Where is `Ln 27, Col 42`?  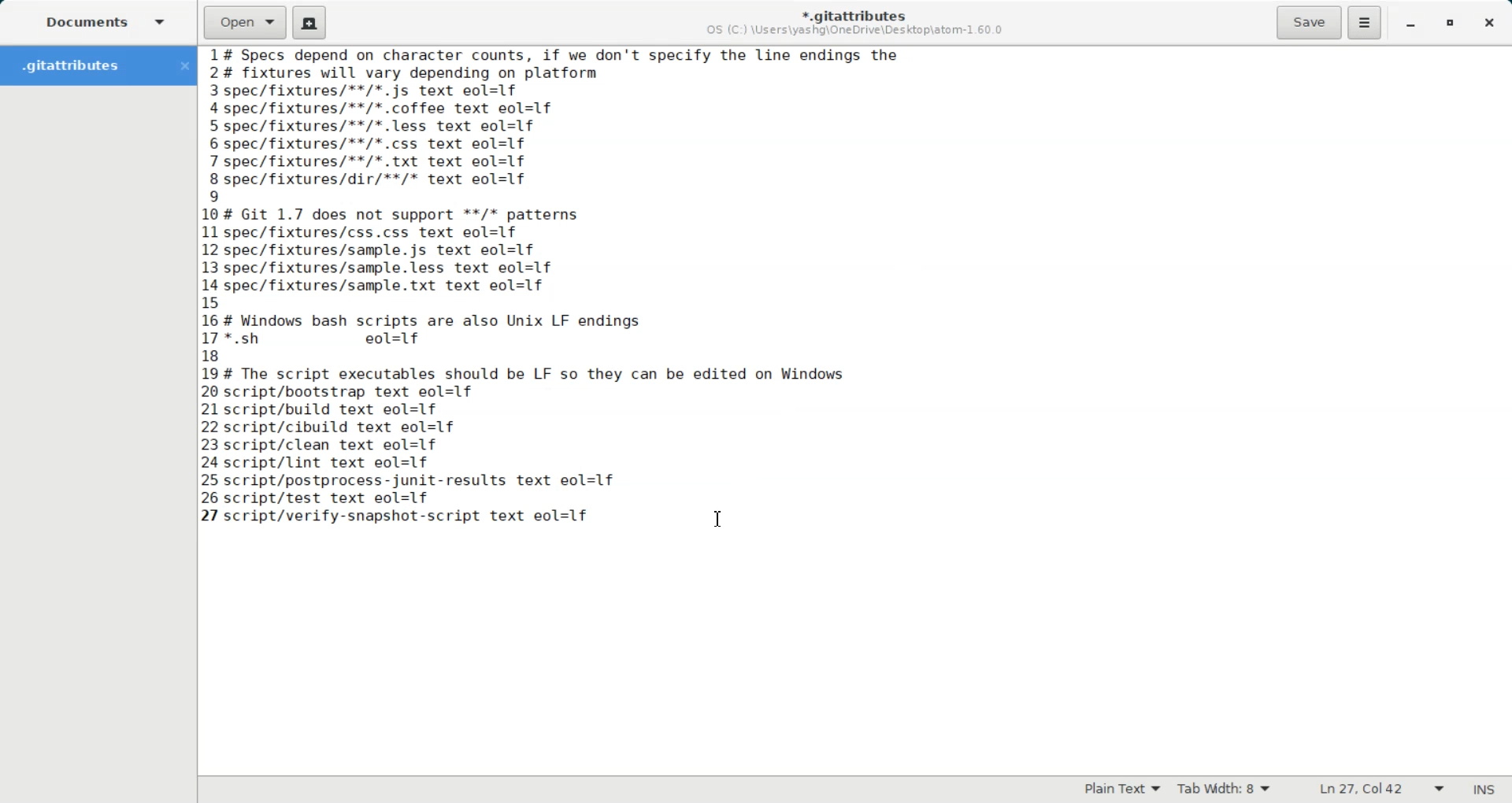 Ln 27, Col 42 is located at coordinates (1377, 790).